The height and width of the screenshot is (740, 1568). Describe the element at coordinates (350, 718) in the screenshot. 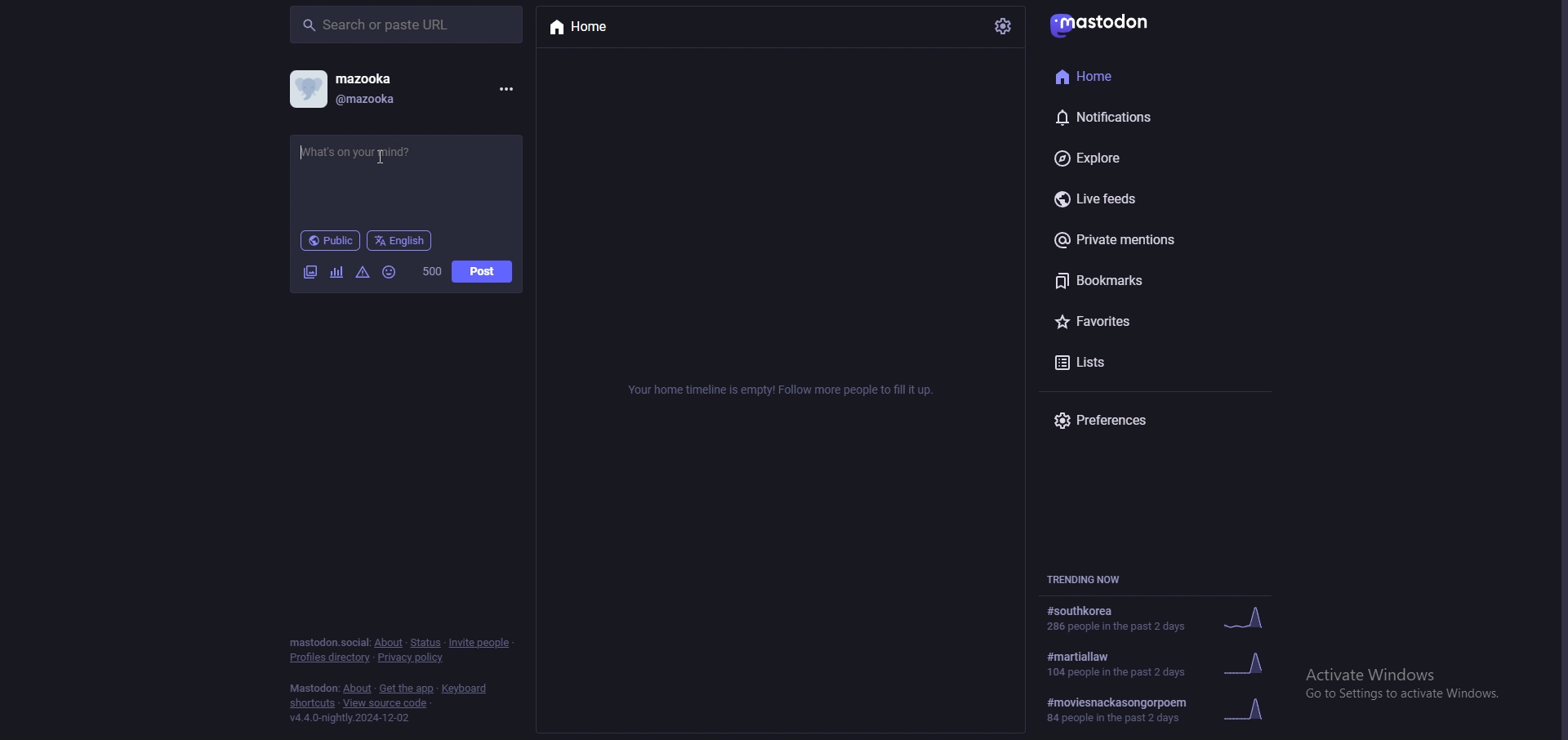

I see `version` at that location.